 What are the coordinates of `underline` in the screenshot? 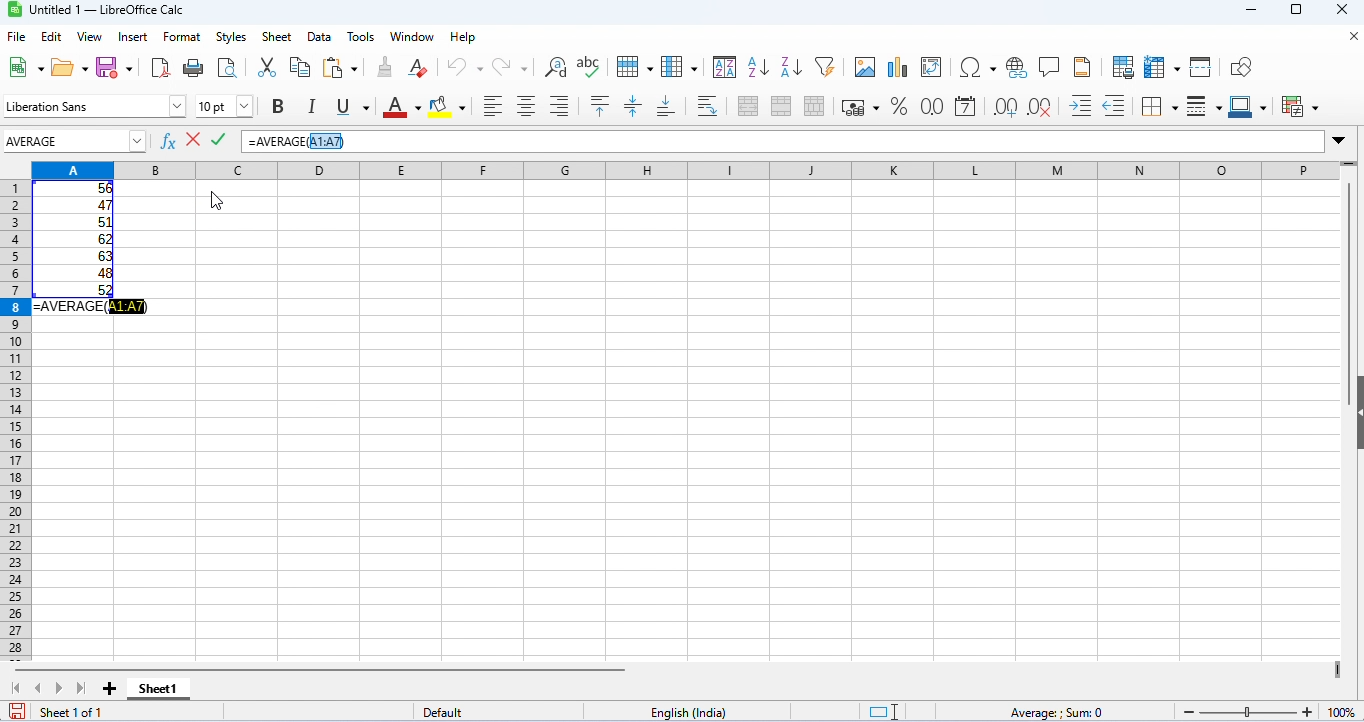 It's located at (350, 107).